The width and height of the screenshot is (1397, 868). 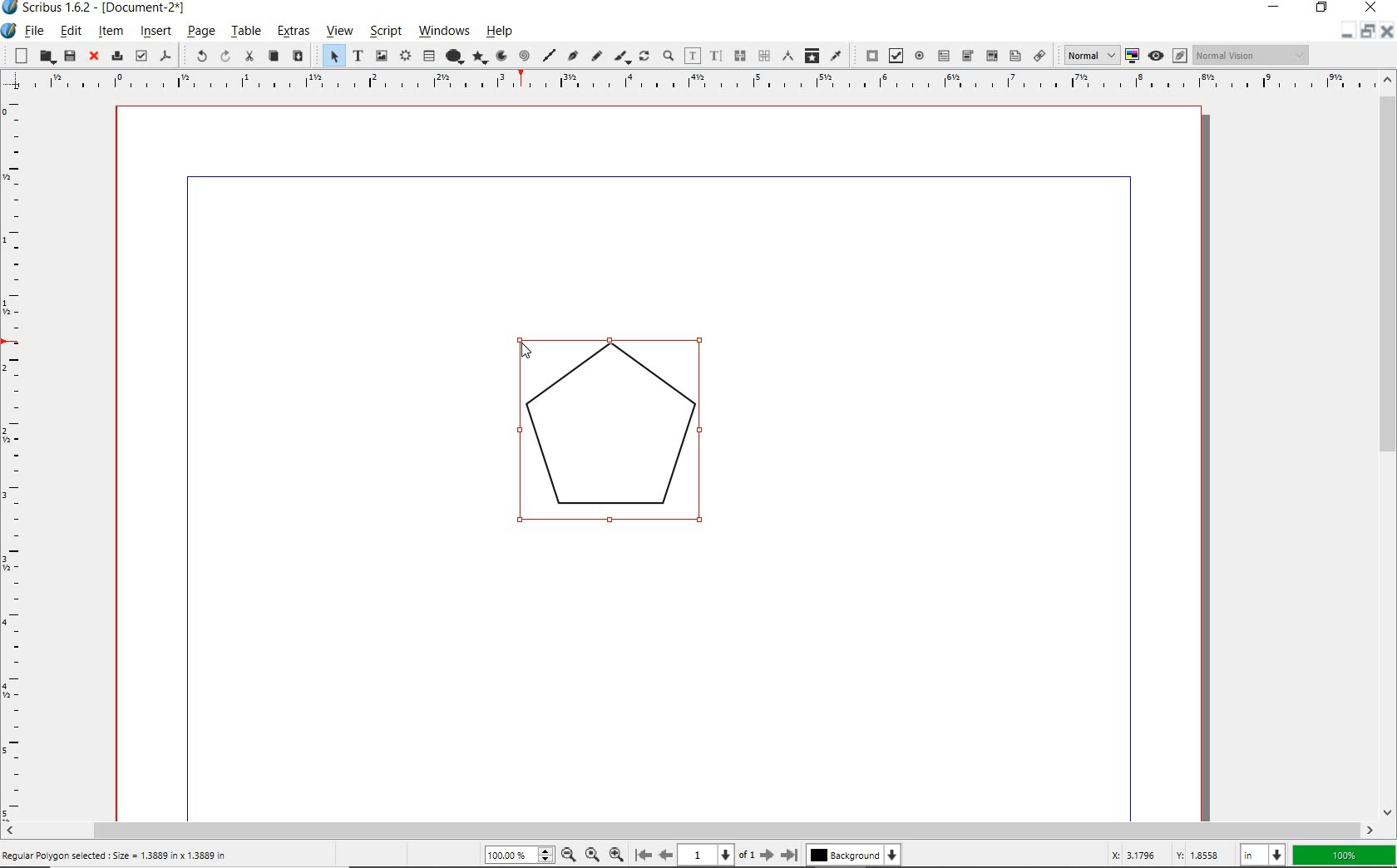 What do you see at coordinates (501, 57) in the screenshot?
I see `arc` at bounding box center [501, 57].